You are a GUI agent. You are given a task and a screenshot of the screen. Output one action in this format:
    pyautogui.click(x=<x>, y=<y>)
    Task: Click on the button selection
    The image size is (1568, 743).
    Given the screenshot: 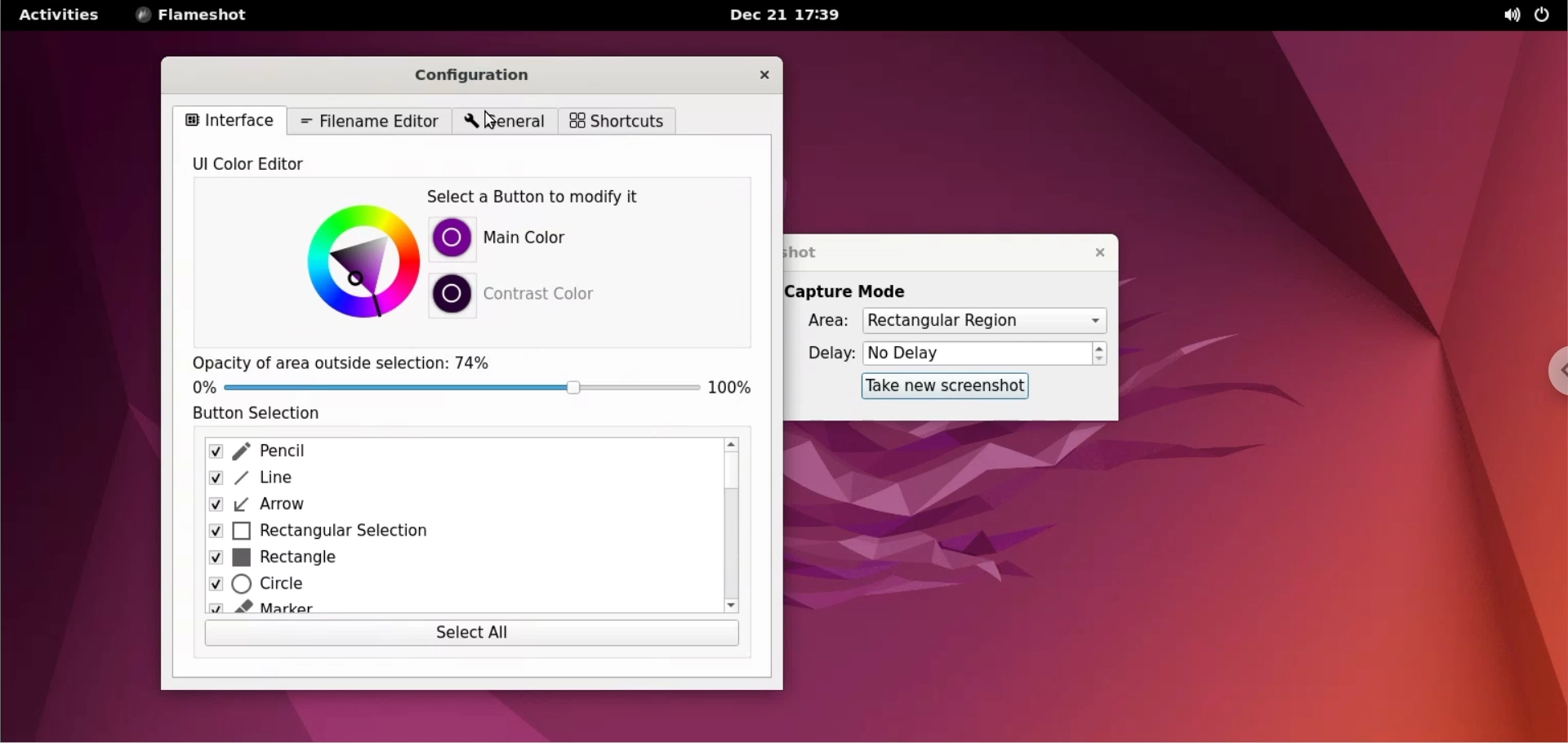 What is the action you would take?
    pyautogui.click(x=259, y=416)
    